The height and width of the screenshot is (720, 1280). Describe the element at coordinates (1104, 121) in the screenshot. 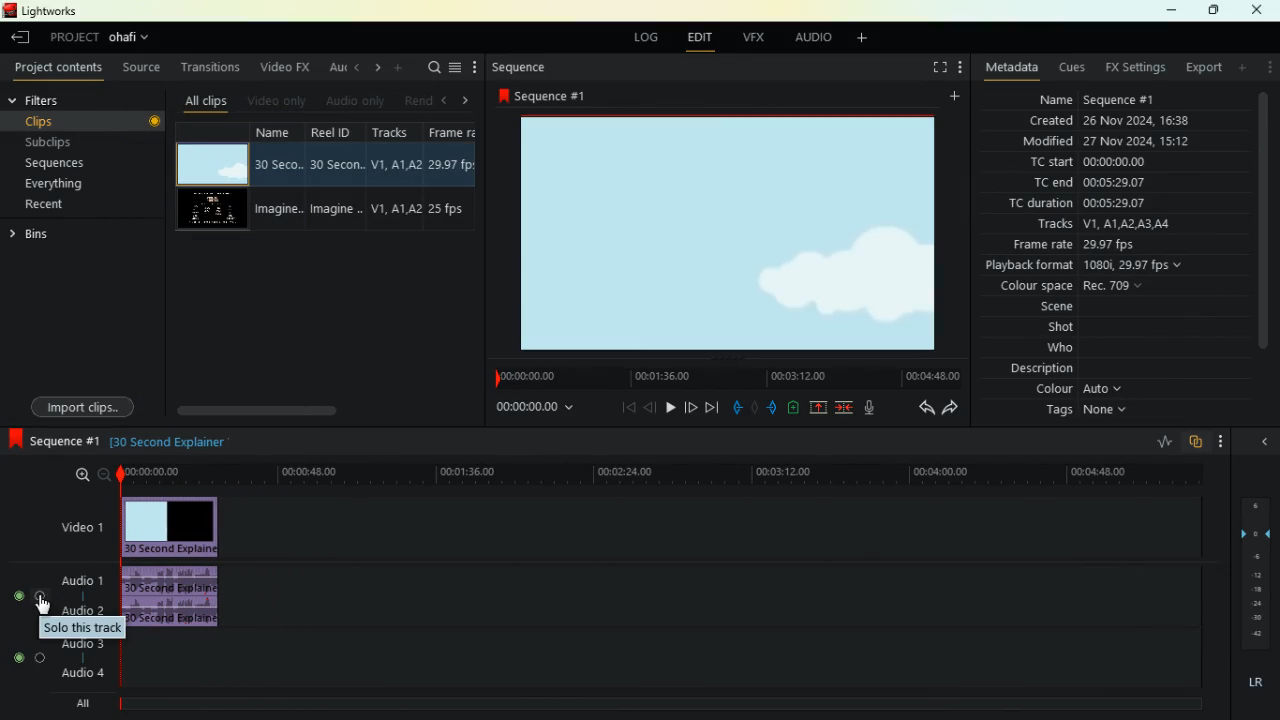

I see `created` at that location.